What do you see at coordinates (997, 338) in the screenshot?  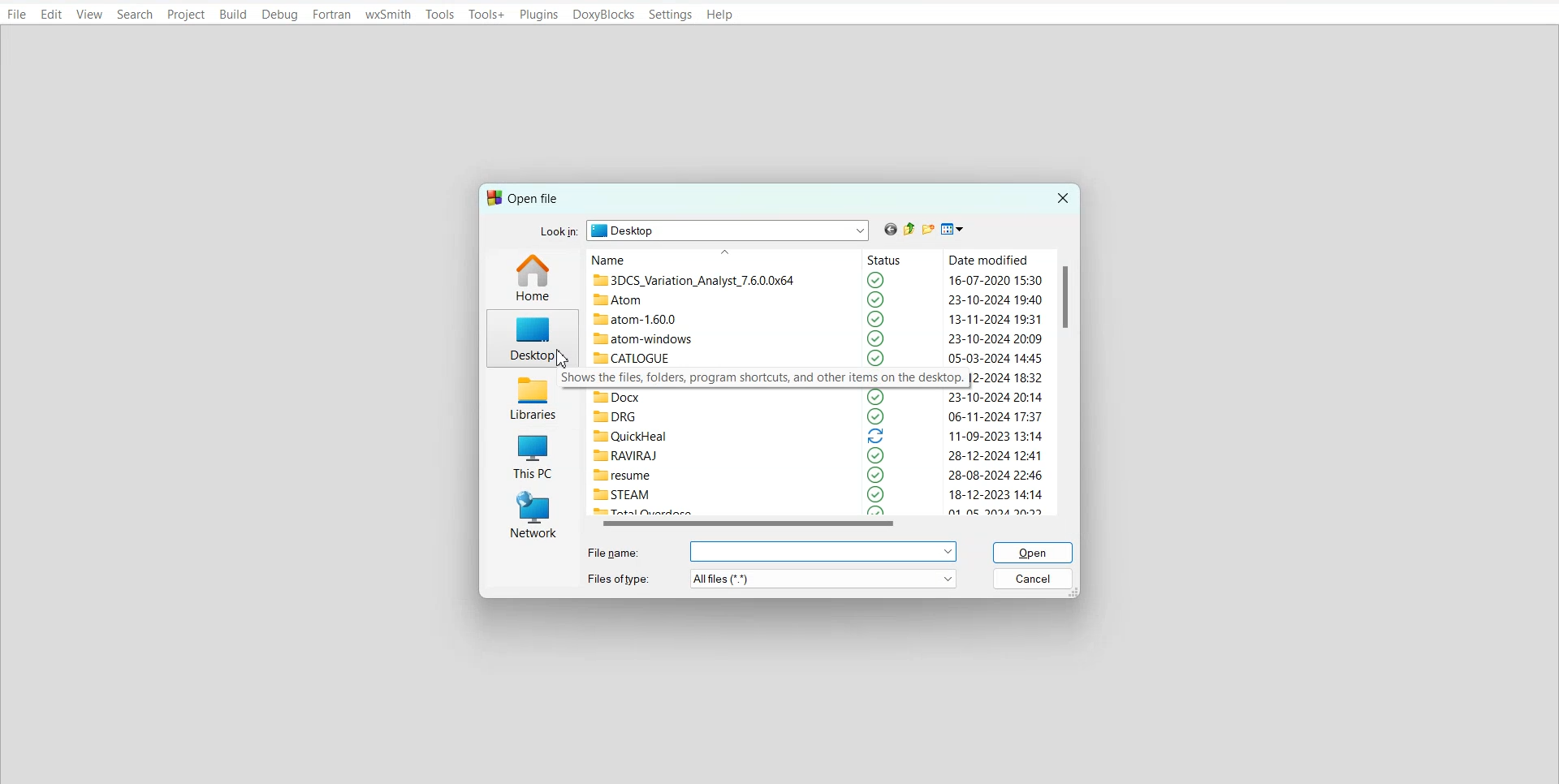 I see `23-10-2024 20:09` at bounding box center [997, 338].